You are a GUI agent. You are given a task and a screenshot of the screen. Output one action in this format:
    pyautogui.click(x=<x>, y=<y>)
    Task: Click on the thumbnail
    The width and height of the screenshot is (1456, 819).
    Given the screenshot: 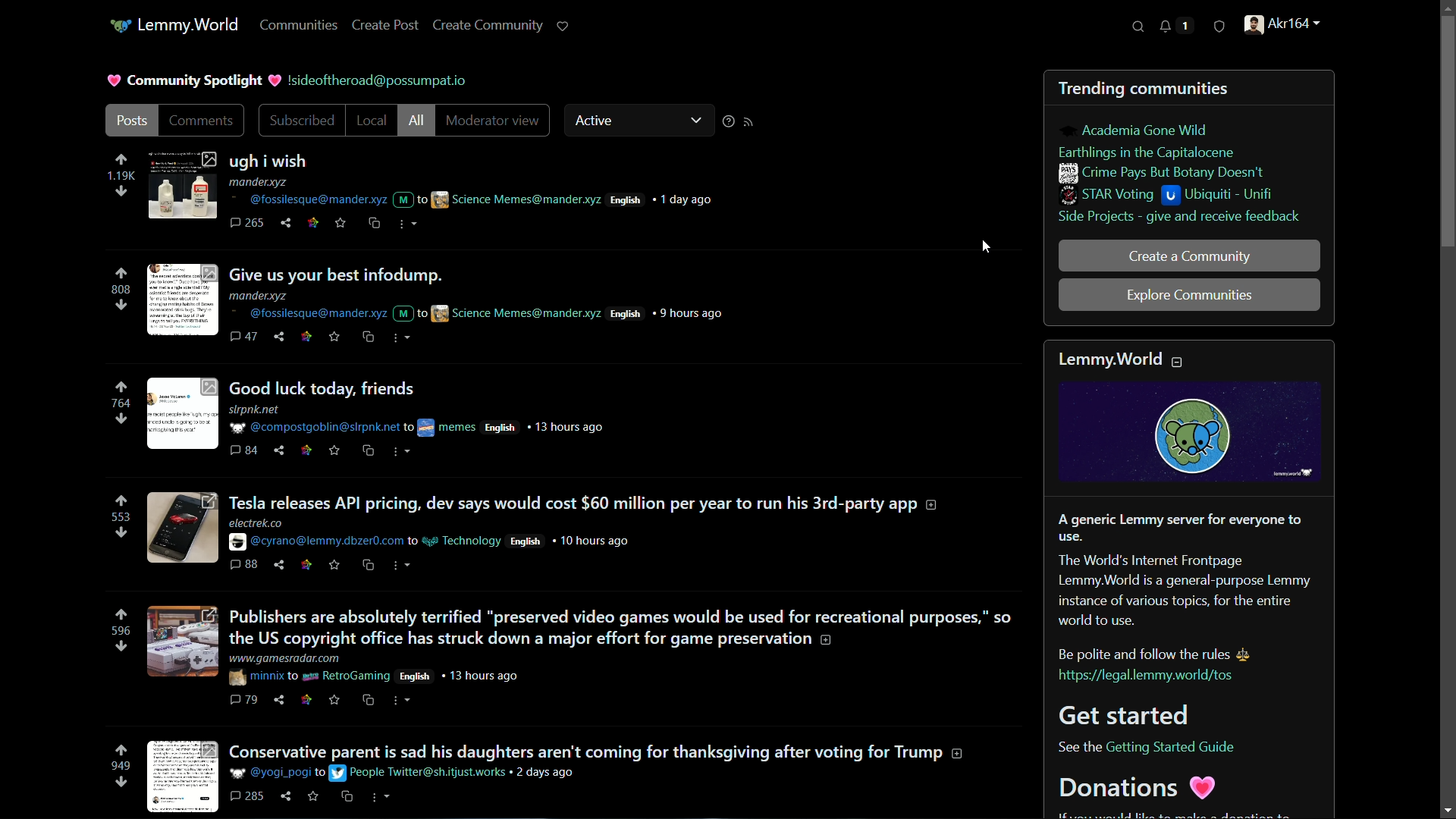 What is the action you would take?
    pyautogui.click(x=181, y=185)
    